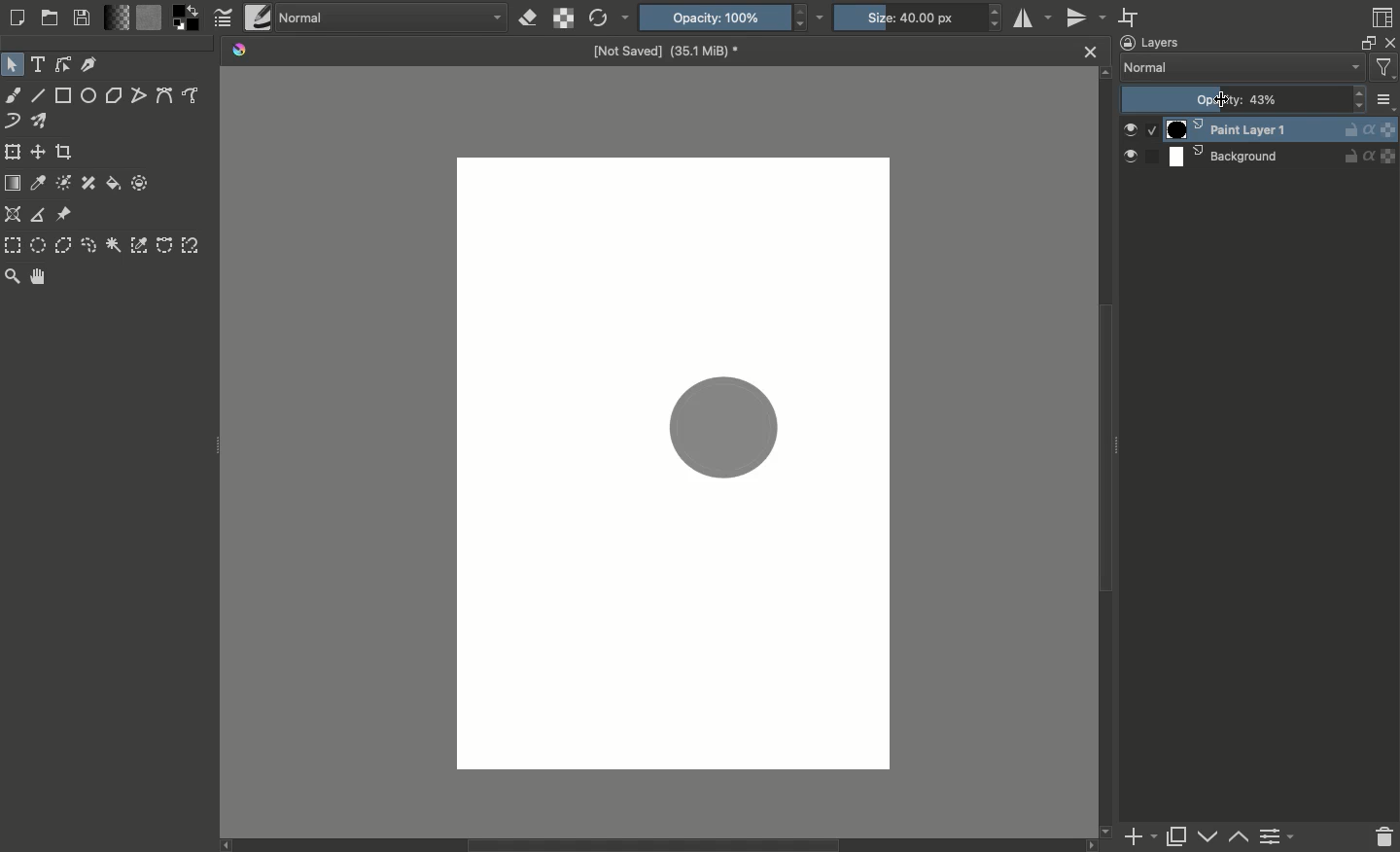 The height and width of the screenshot is (852, 1400). What do you see at coordinates (116, 18) in the screenshot?
I see `Fill gradients` at bounding box center [116, 18].